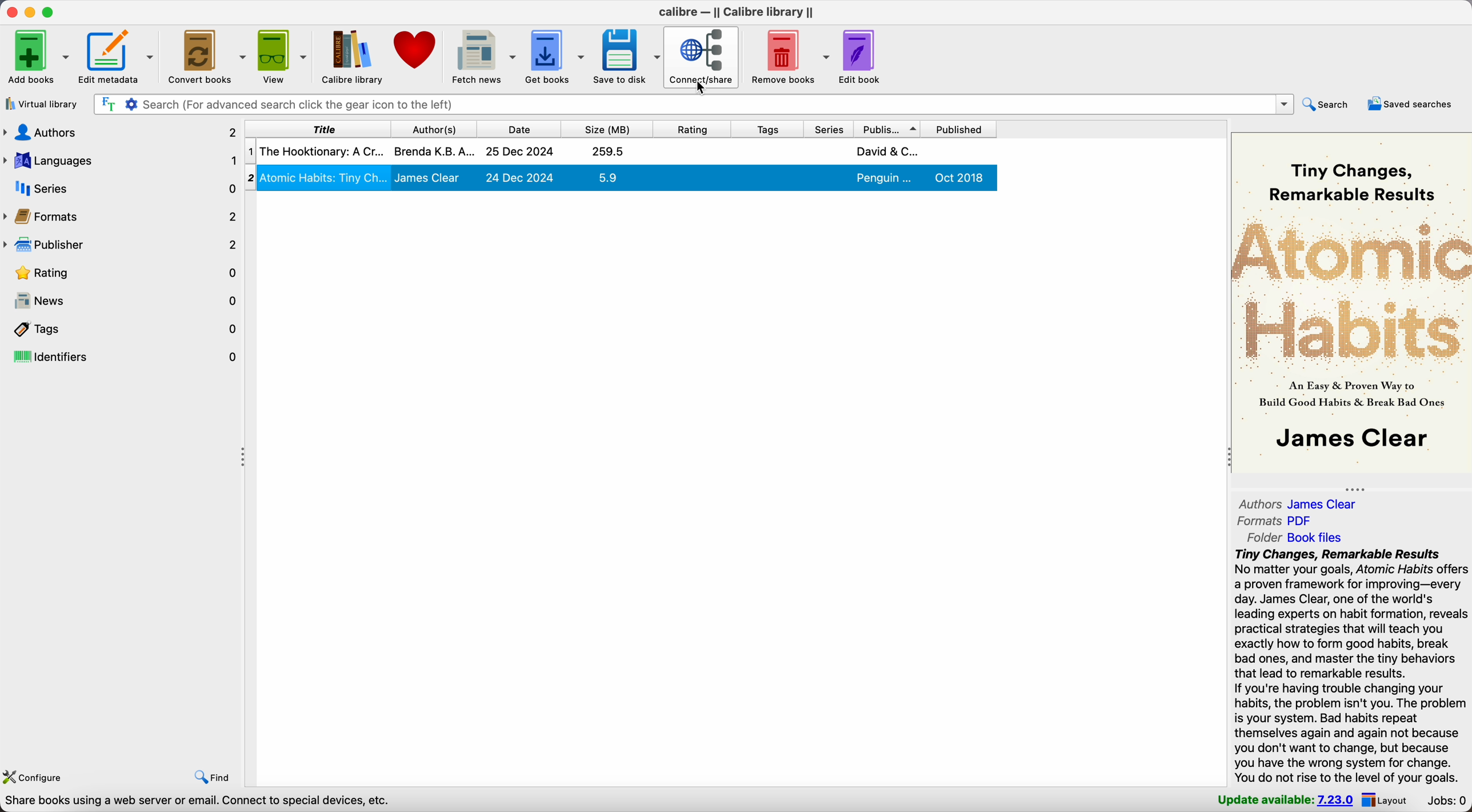 Image resolution: width=1472 pixels, height=812 pixels. What do you see at coordinates (702, 58) in the screenshot?
I see `click on connect/share` at bounding box center [702, 58].